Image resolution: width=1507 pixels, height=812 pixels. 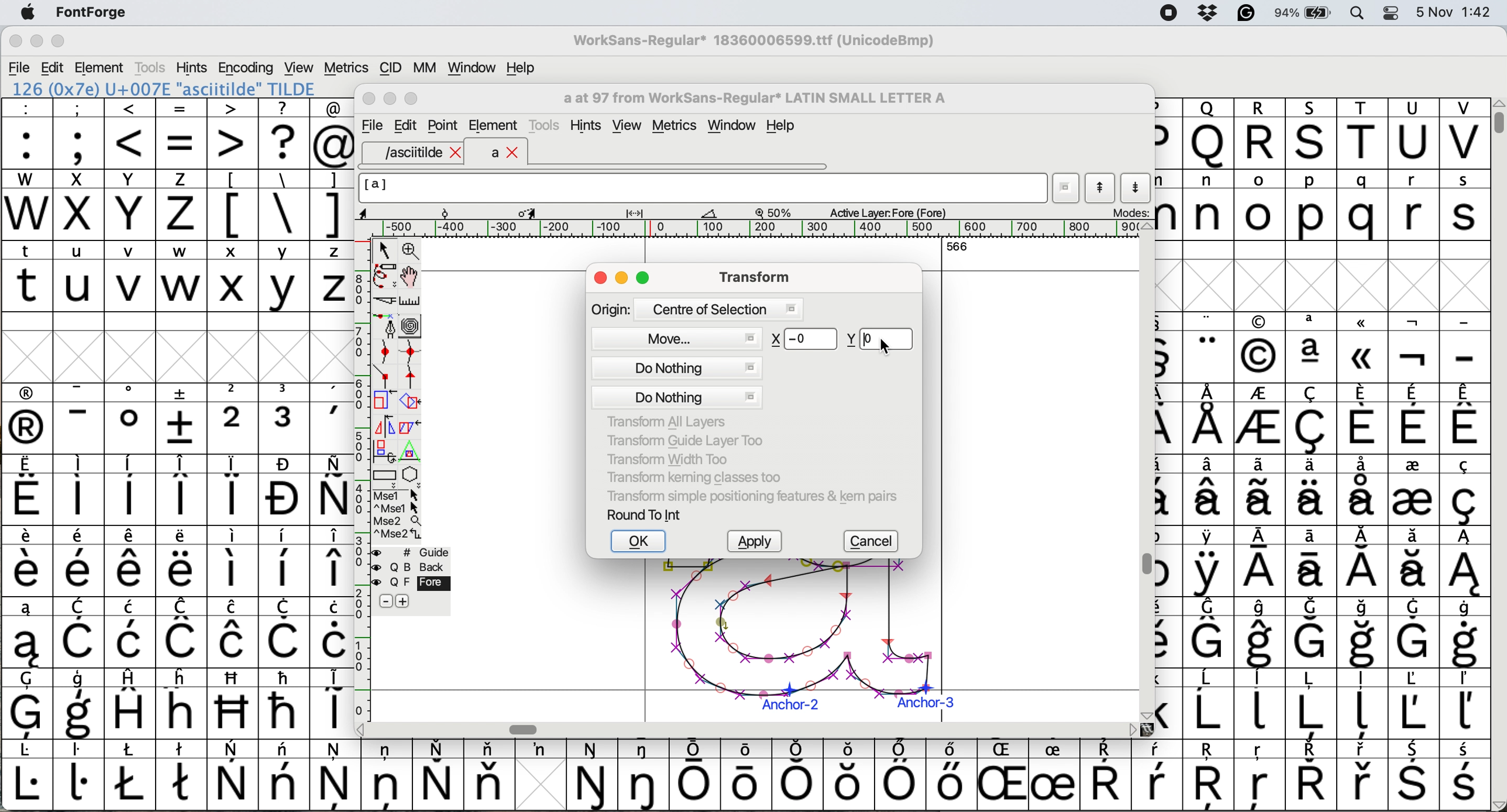 I want to click on symbol, so click(x=1312, y=347).